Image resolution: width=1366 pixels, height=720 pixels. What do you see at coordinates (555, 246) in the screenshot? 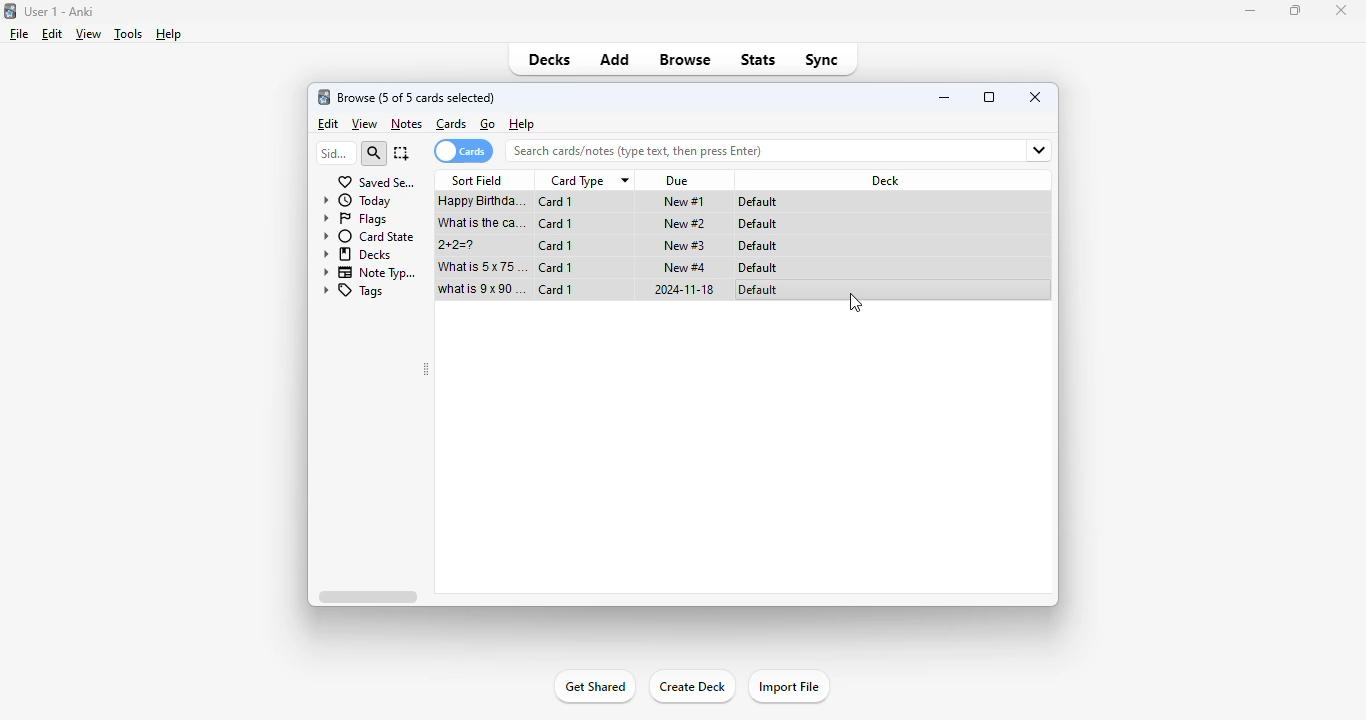
I see `card 1` at bounding box center [555, 246].